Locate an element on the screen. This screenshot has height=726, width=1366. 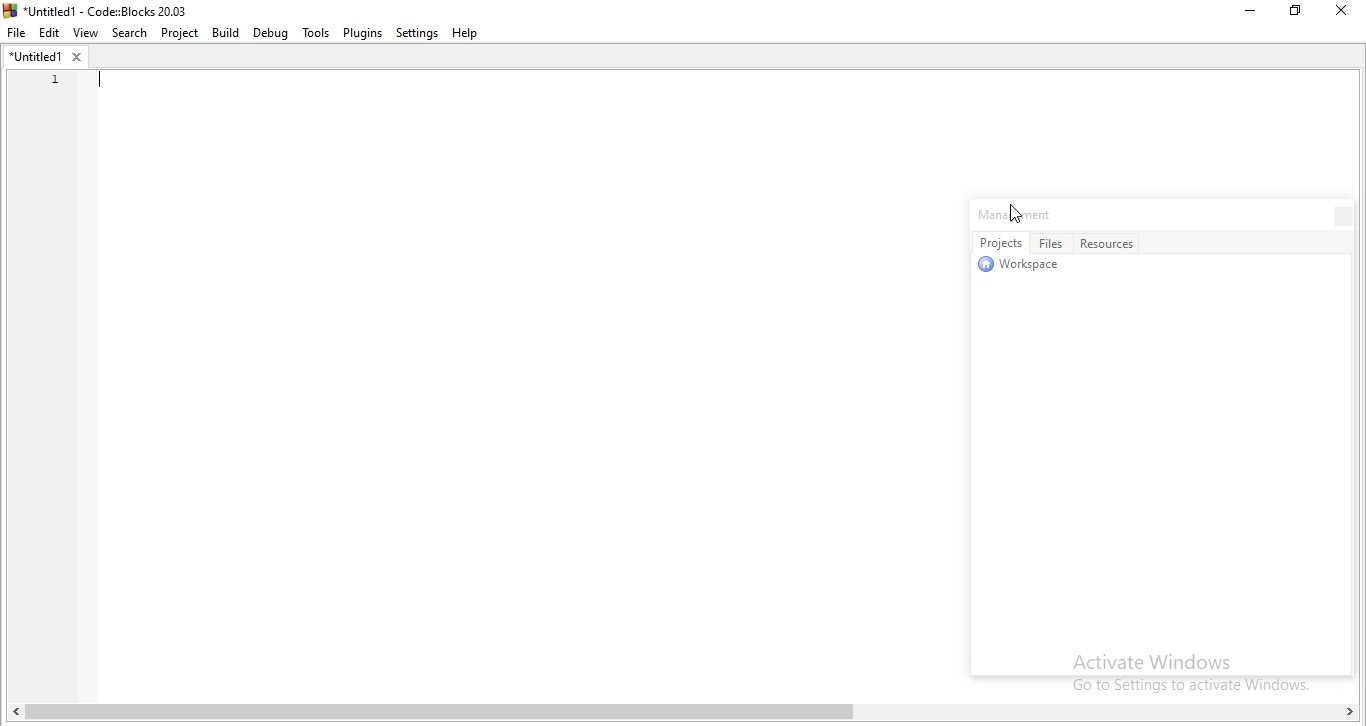
Settings  is located at coordinates (418, 33).